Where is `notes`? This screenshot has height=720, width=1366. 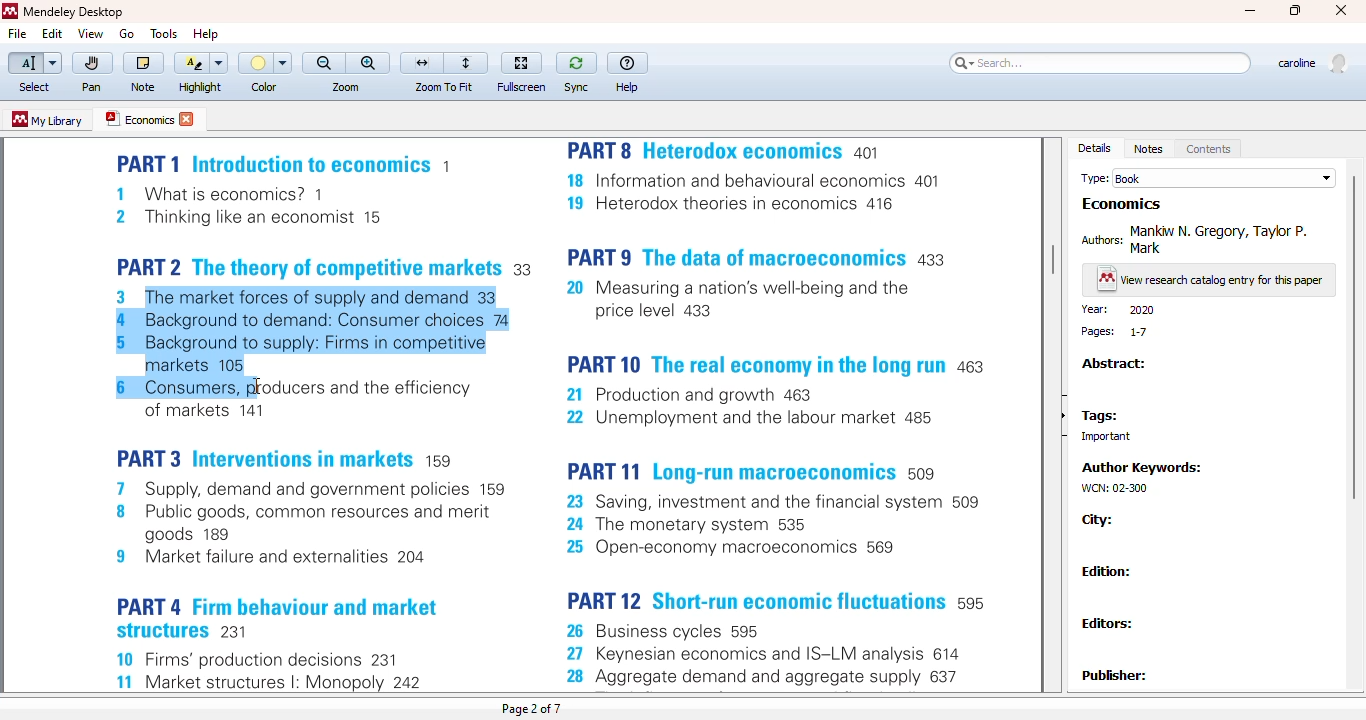
notes is located at coordinates (1148, 149).